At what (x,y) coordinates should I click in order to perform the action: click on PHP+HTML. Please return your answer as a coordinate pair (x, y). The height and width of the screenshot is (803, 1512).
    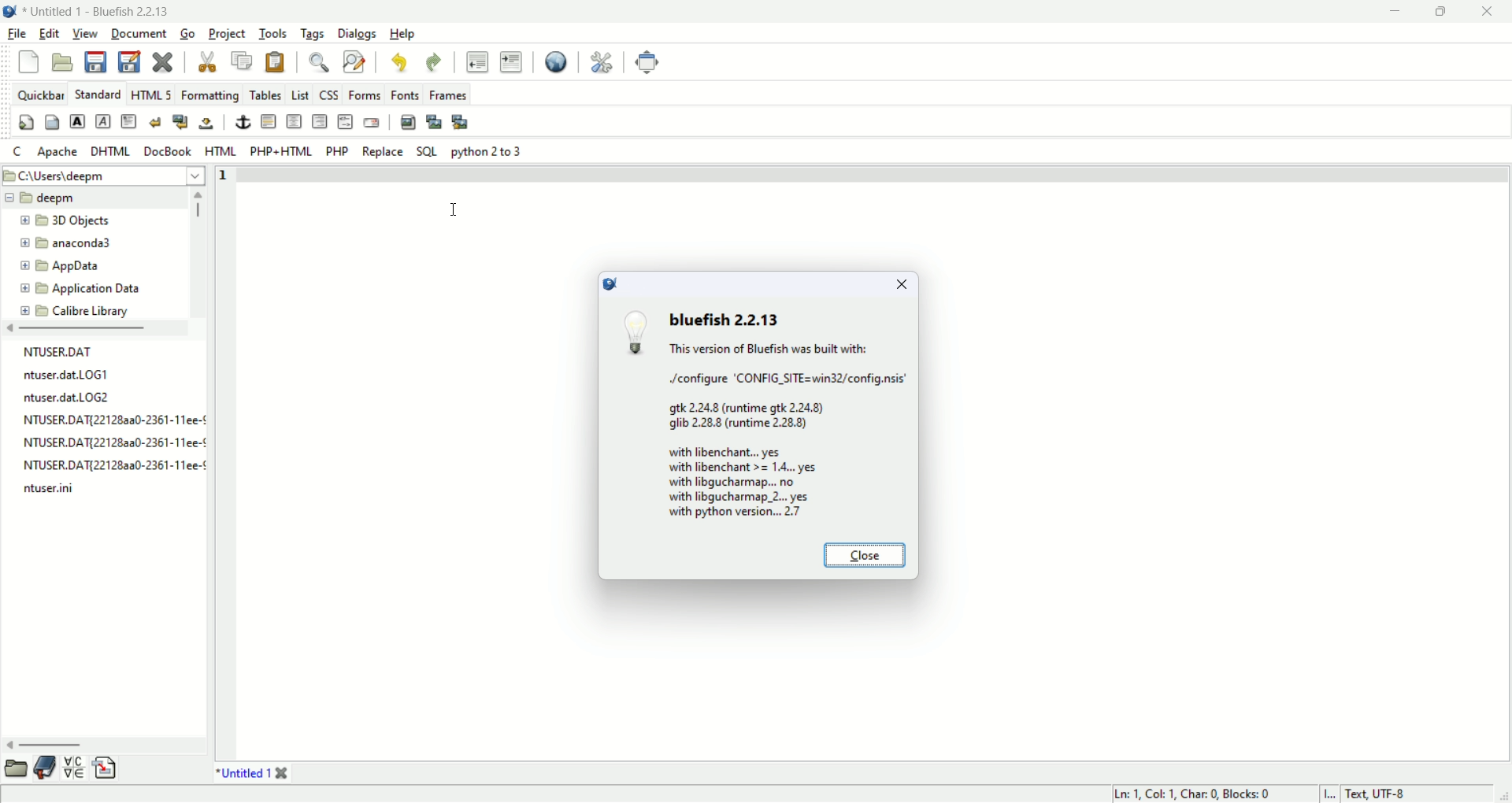
    Looking at the image, I should click on (280, 151).